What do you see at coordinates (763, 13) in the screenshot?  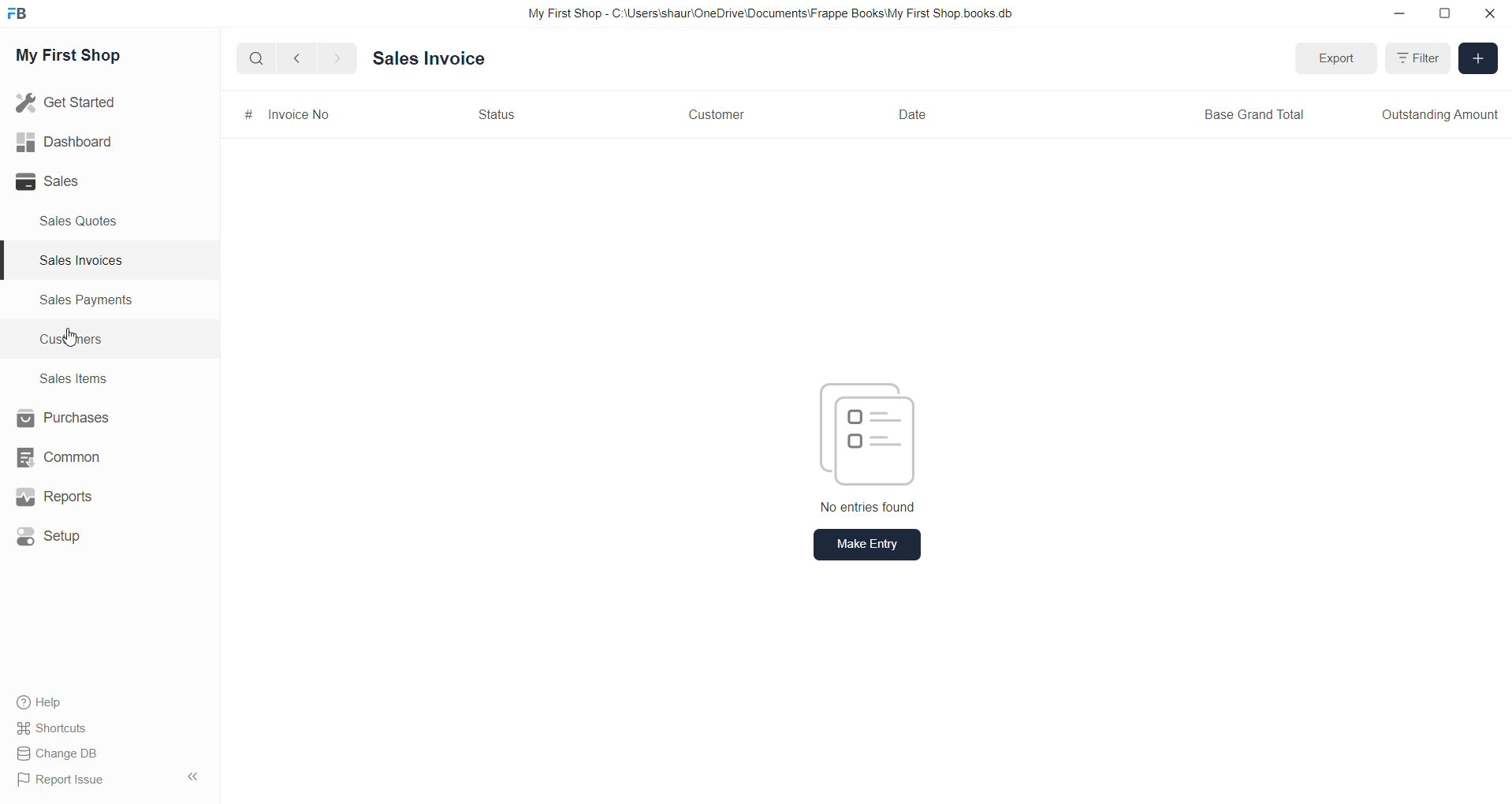 I see `My First Shop - C:\Users\shaur\OneDrive\Documents\Frappe BooksiMy First Shop books db` at bounding box center [763, 13].